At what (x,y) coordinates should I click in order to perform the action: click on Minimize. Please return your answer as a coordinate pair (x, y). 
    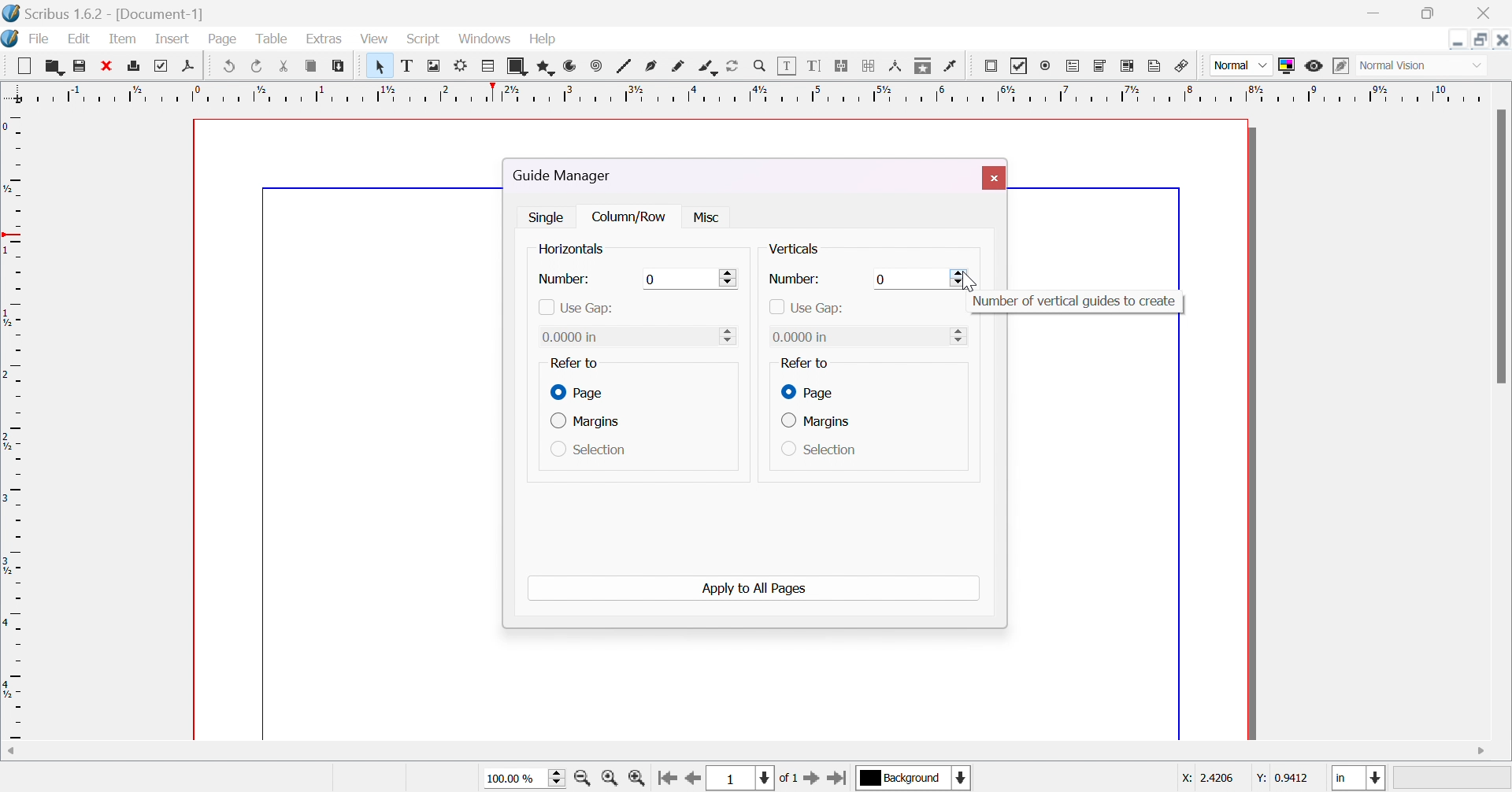
    Looking at the image, I should click on (1458, 39).